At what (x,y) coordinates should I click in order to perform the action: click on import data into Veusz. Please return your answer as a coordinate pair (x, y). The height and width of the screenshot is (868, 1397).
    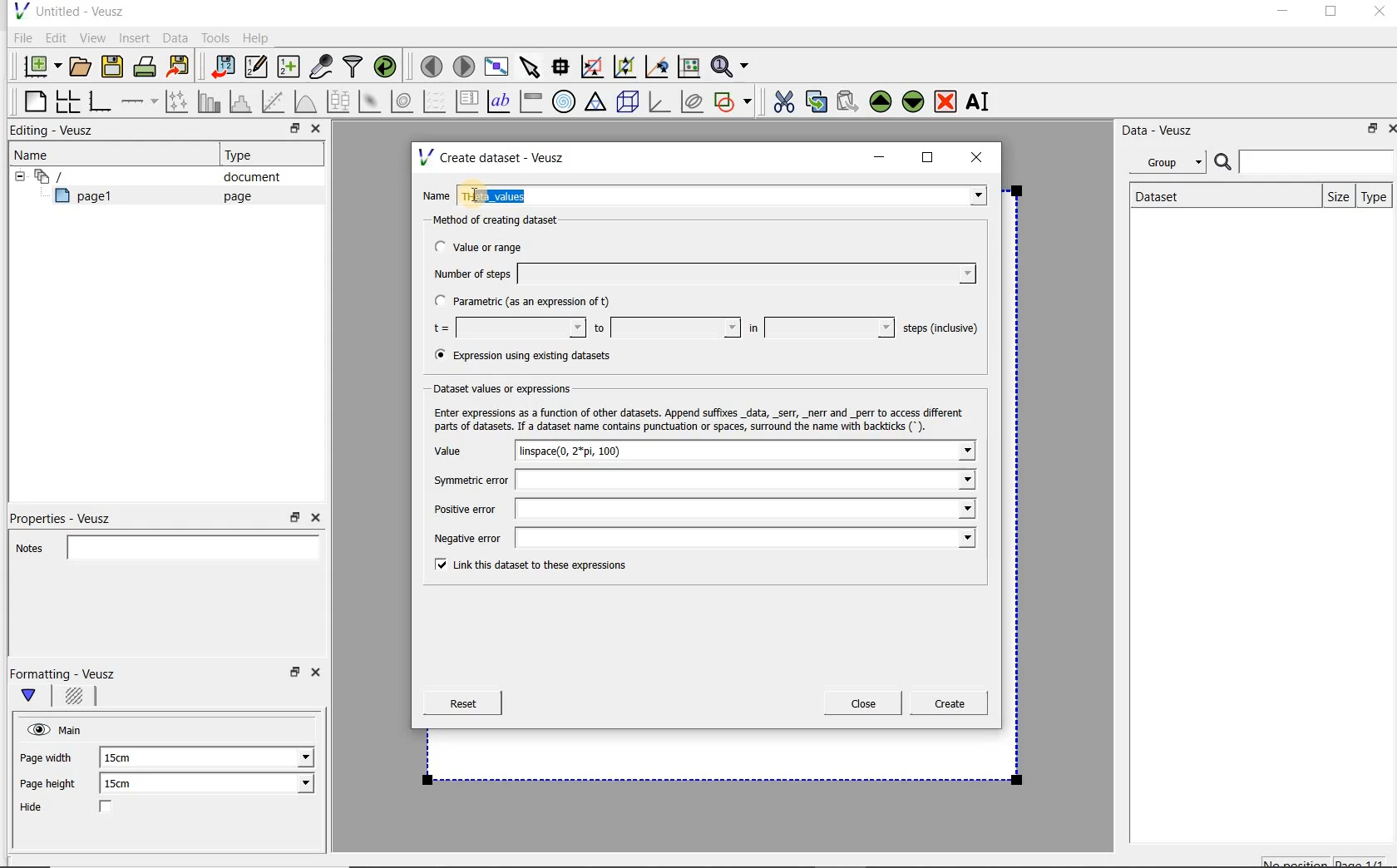
    Looking at the image, I should click on (221, 67).